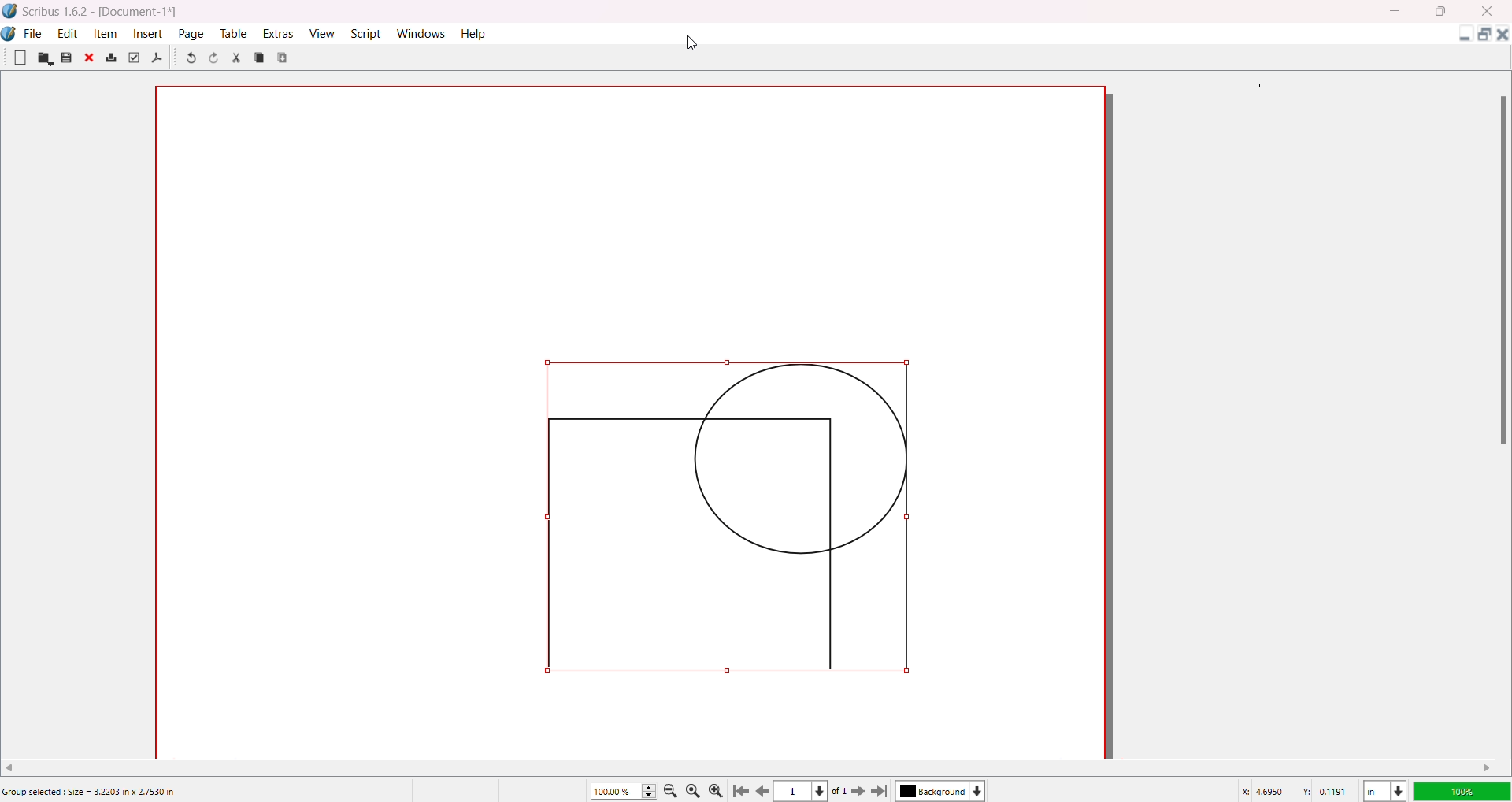  What do you see at coordinates (651, 789) in the screenshot?
I see `Zoom Increase/Decrease` at bounding box center [651, 789].